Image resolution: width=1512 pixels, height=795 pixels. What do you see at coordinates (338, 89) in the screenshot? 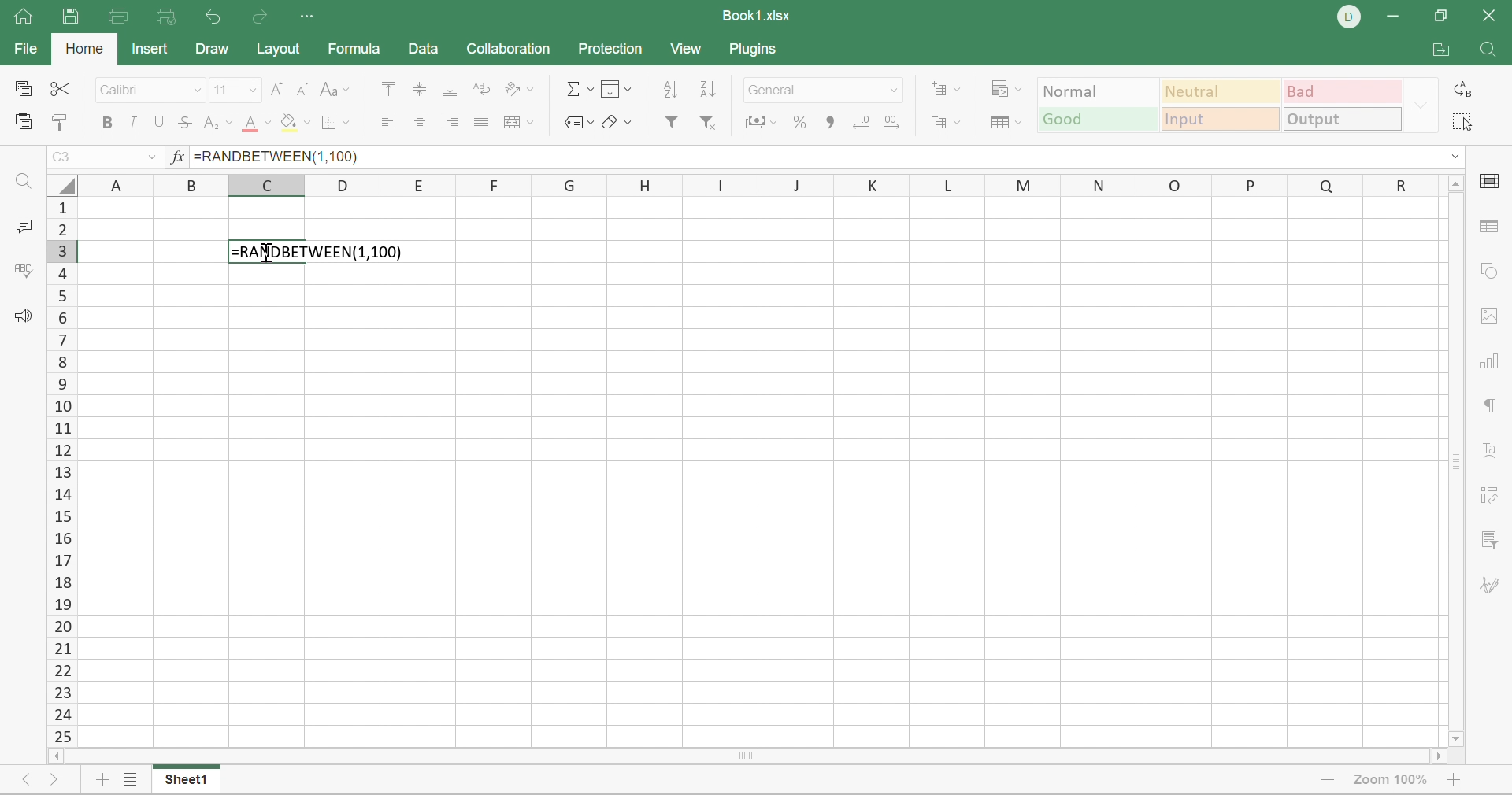
I see `Change case` at bounding box center [338, 89].